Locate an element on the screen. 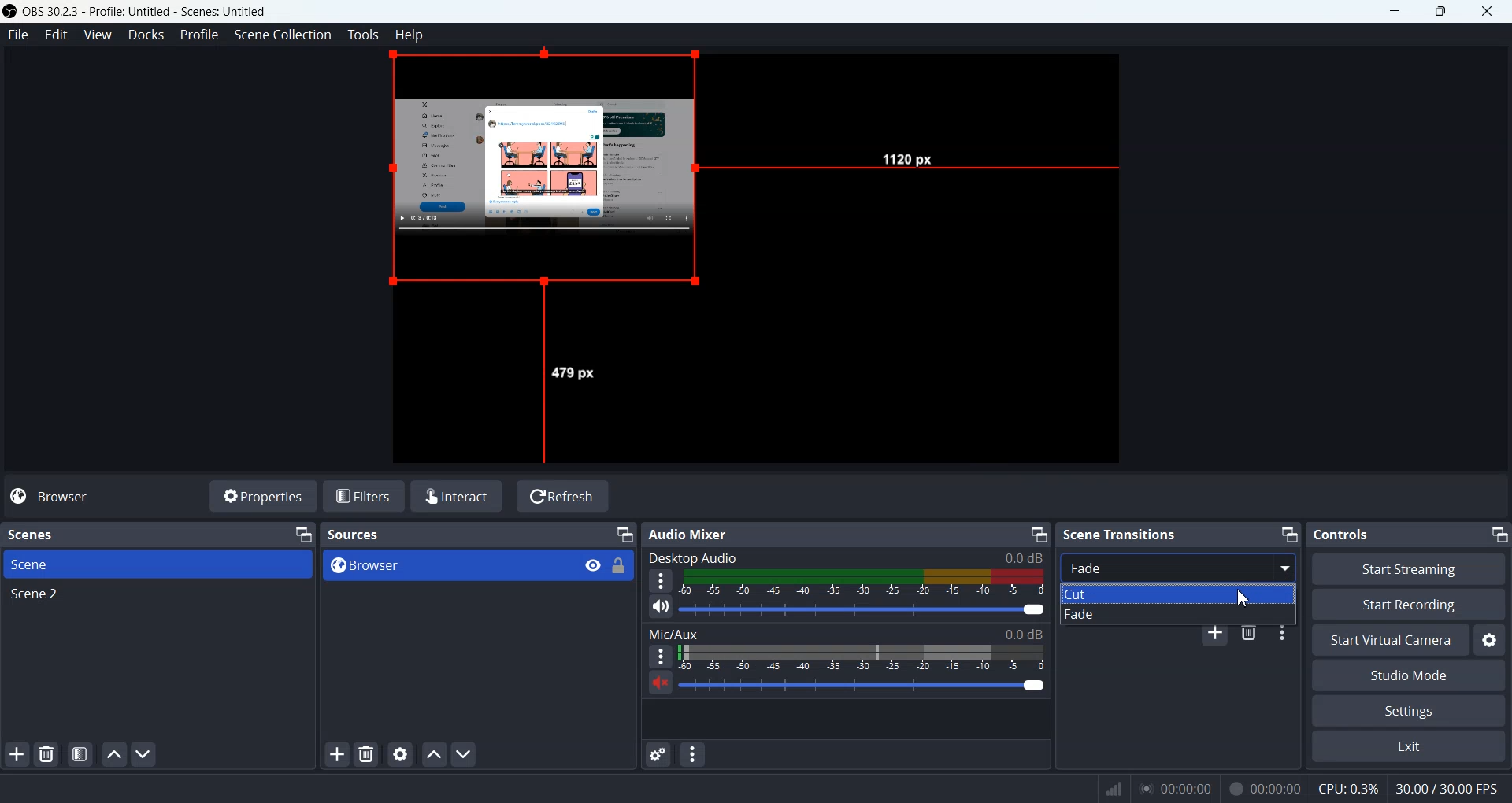  Tools is located at coordinates (364, 35).